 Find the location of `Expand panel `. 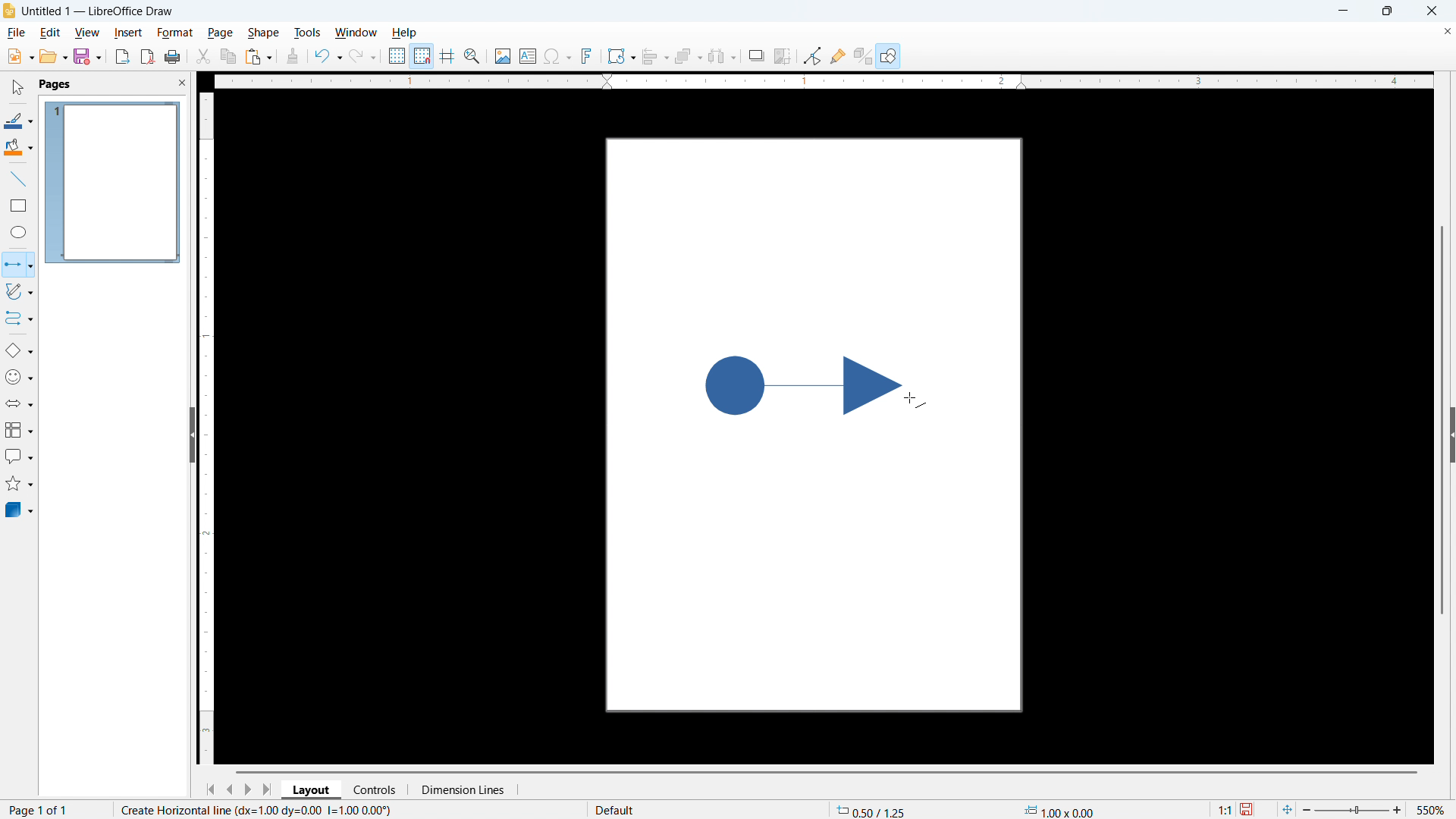

Expand panel  is located at coordinates (1451, 435).